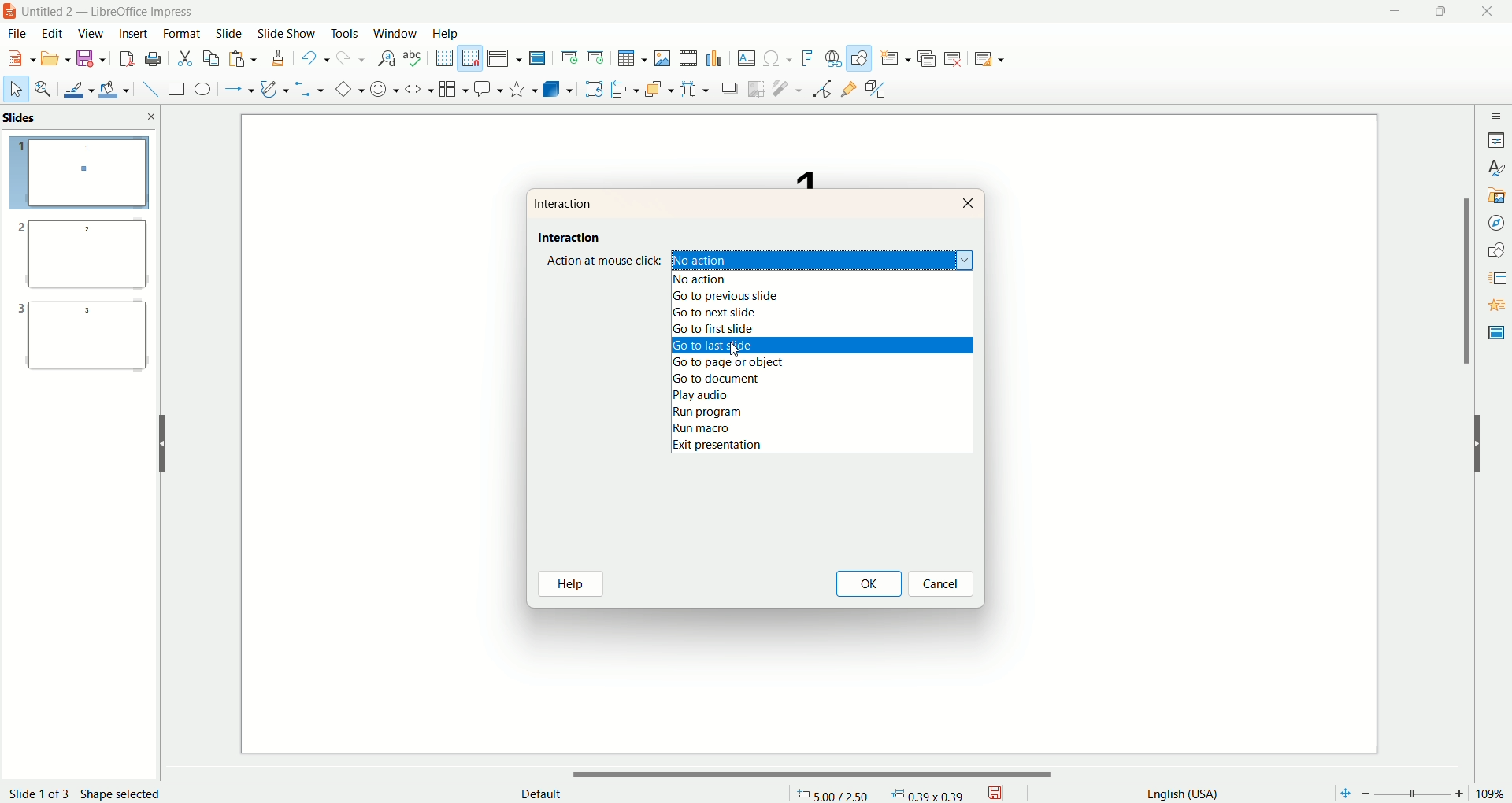 This screenshot has height=803, width=1512. I want to click on start from current slide, so click(596, 56).